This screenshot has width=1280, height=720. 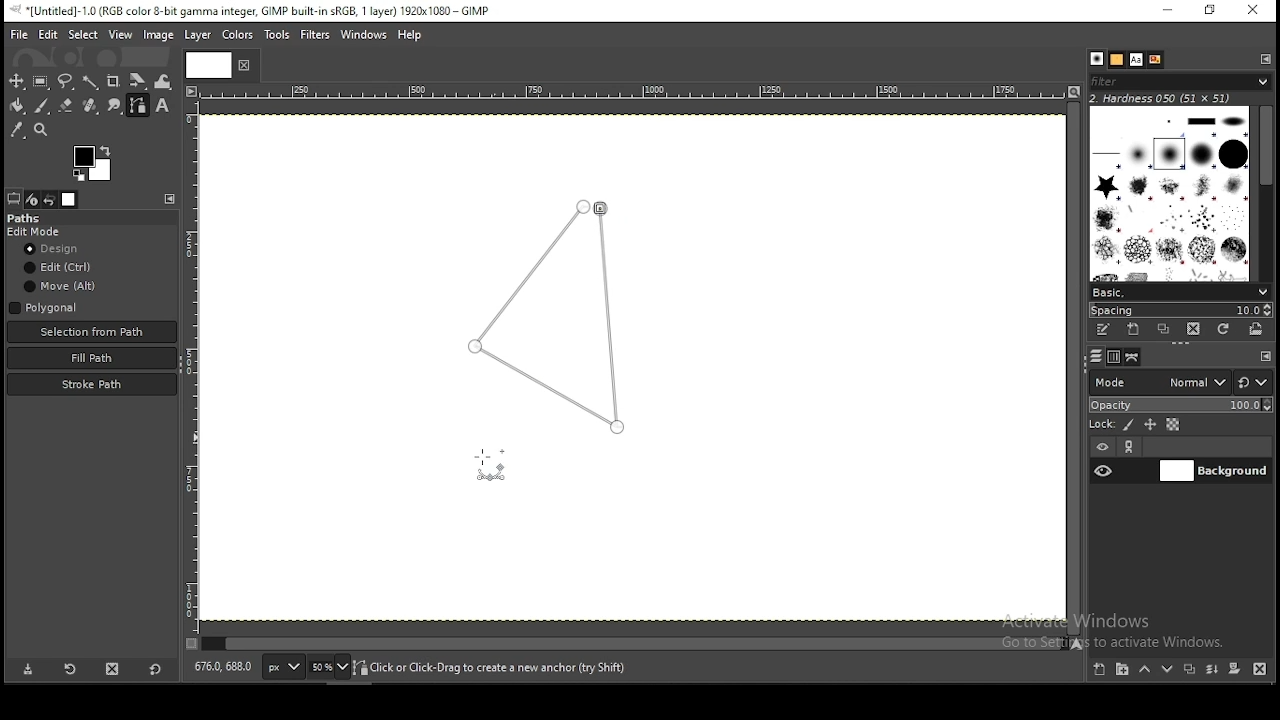 What do you see at coordinates (15, 107) in the screenshot?
I see `paintbucket tool` at bounding box center [15, 107].